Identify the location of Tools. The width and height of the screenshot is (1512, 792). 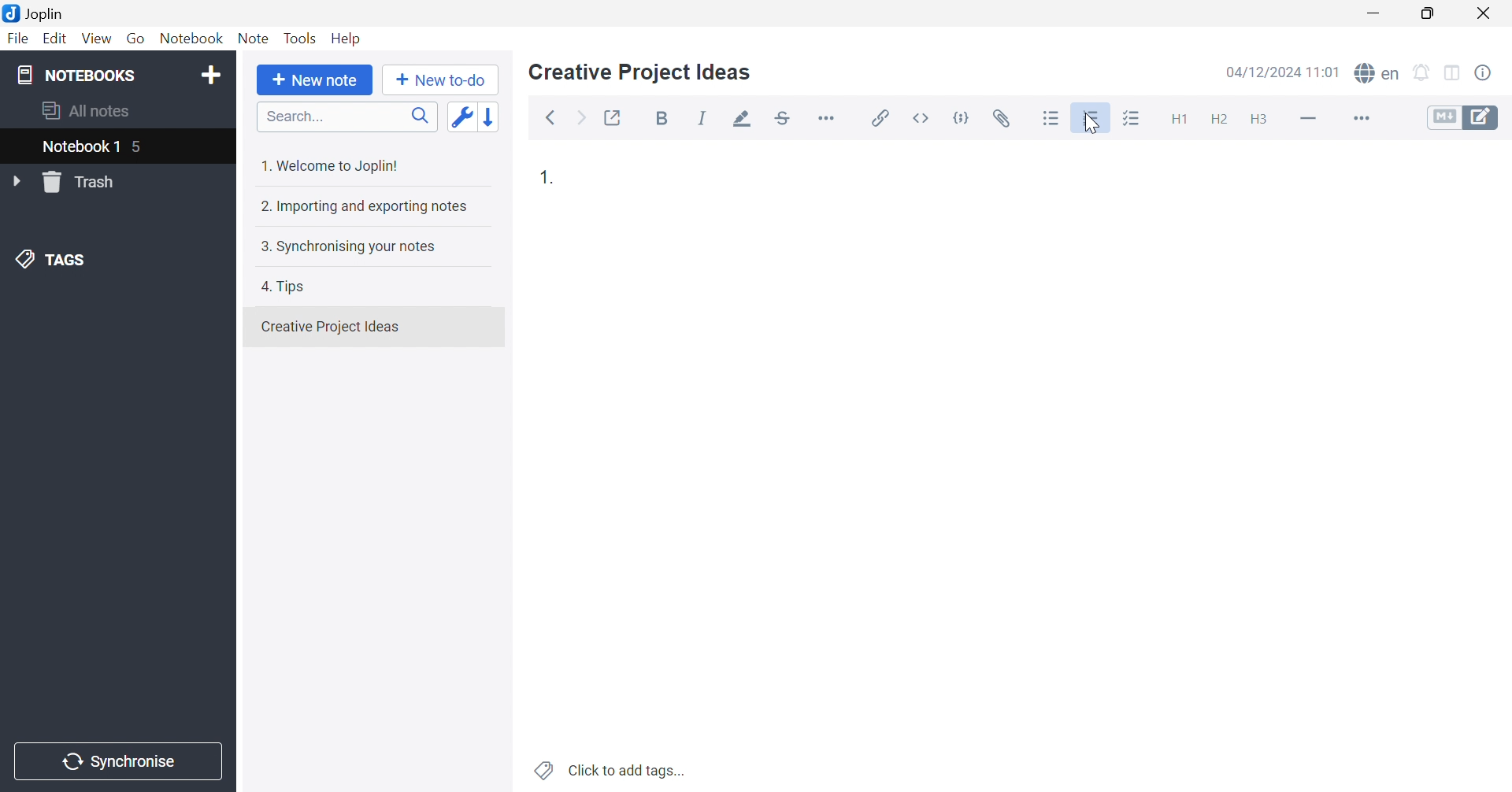
(302, 37).